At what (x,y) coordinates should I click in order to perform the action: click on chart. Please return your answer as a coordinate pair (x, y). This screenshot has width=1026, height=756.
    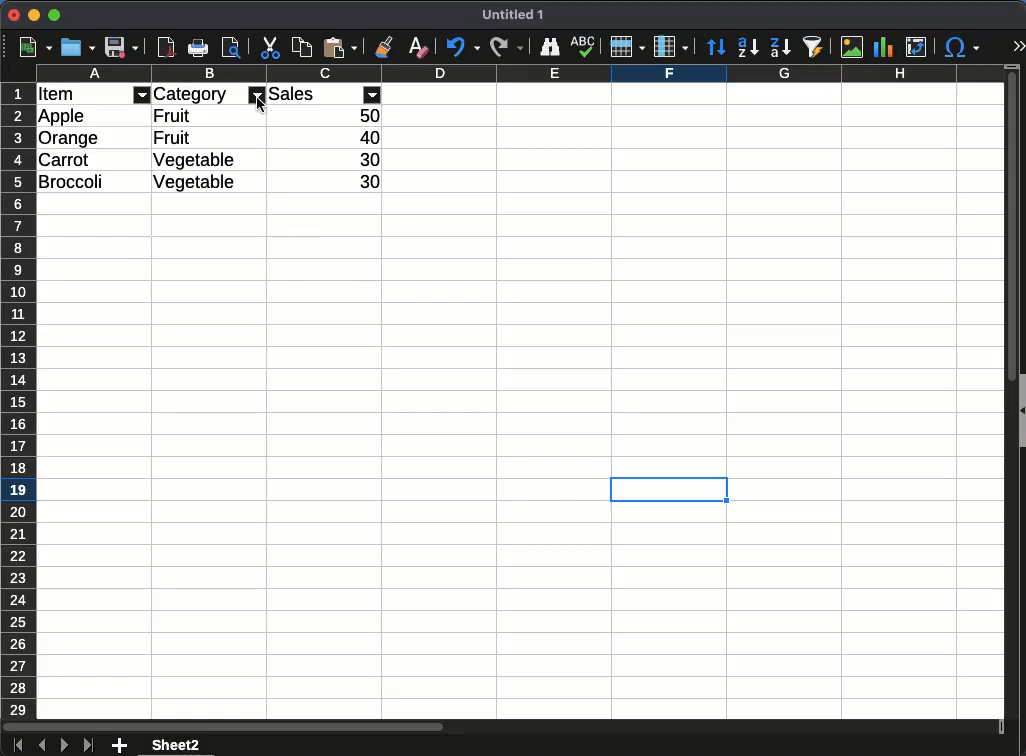
    Looking at the image, I should click on (887, 47).